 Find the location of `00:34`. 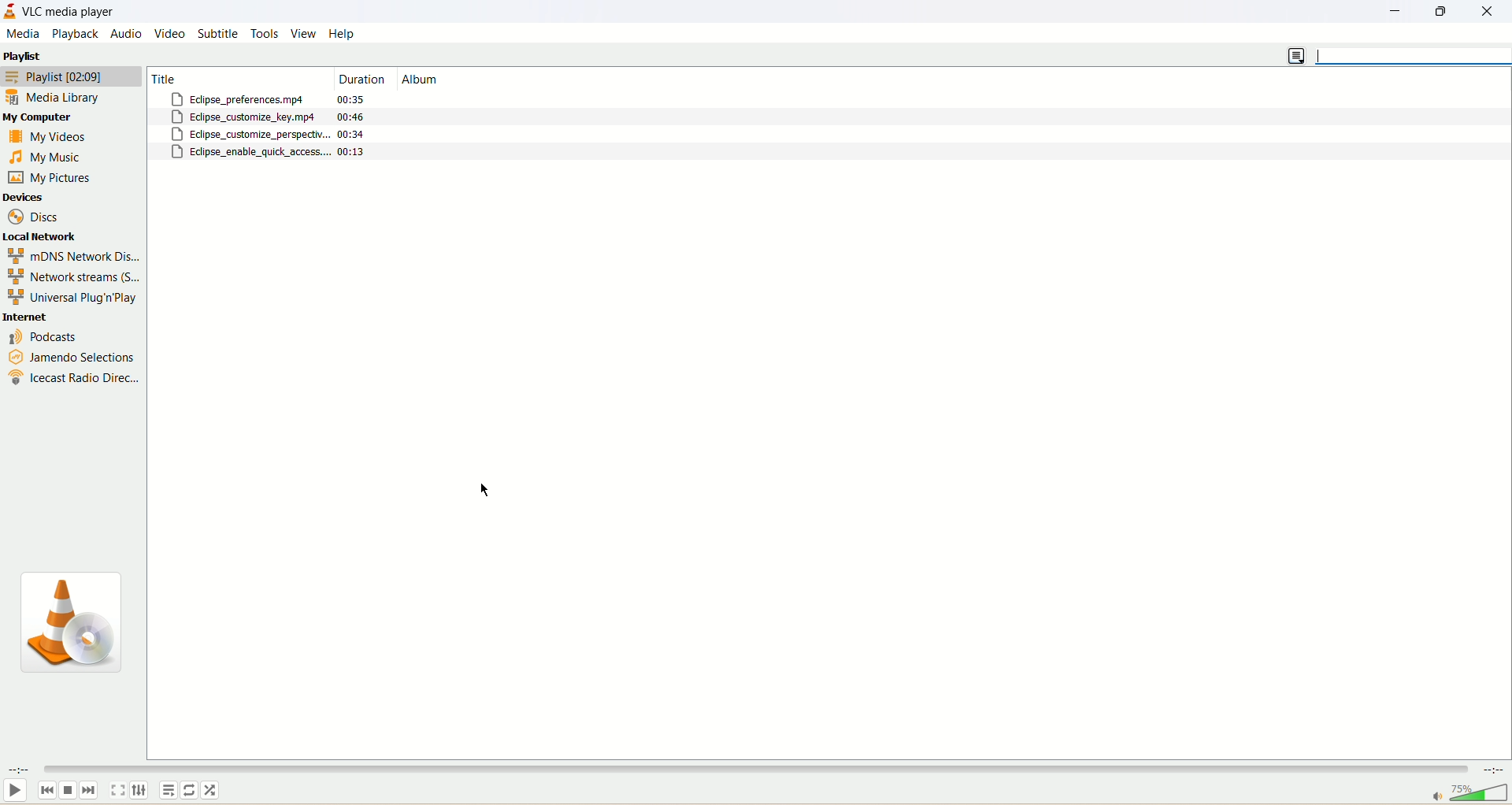

00:34 is located at coordinates (353, 134).